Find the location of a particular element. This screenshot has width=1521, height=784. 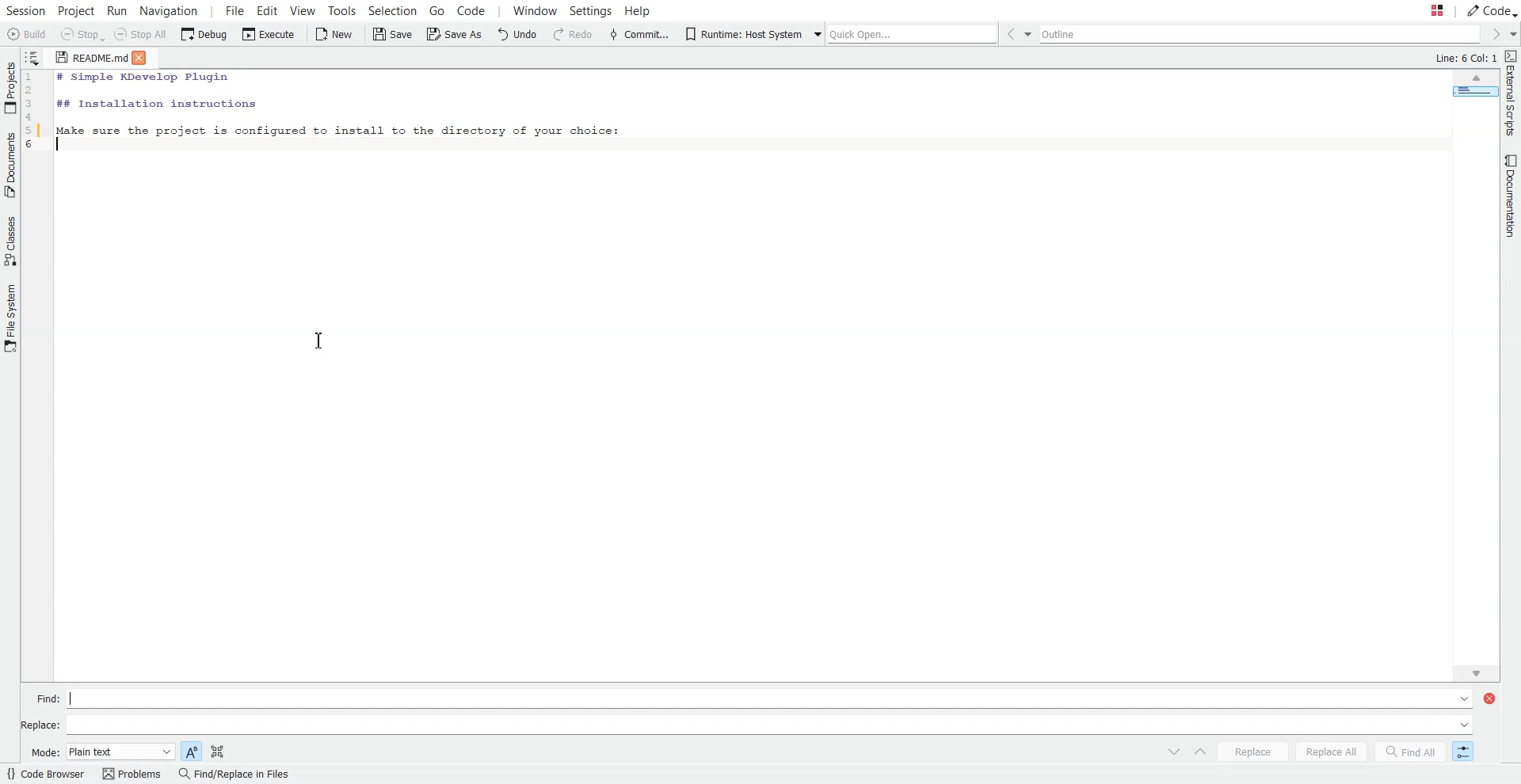

Debug is located at coordinates (204, 35).